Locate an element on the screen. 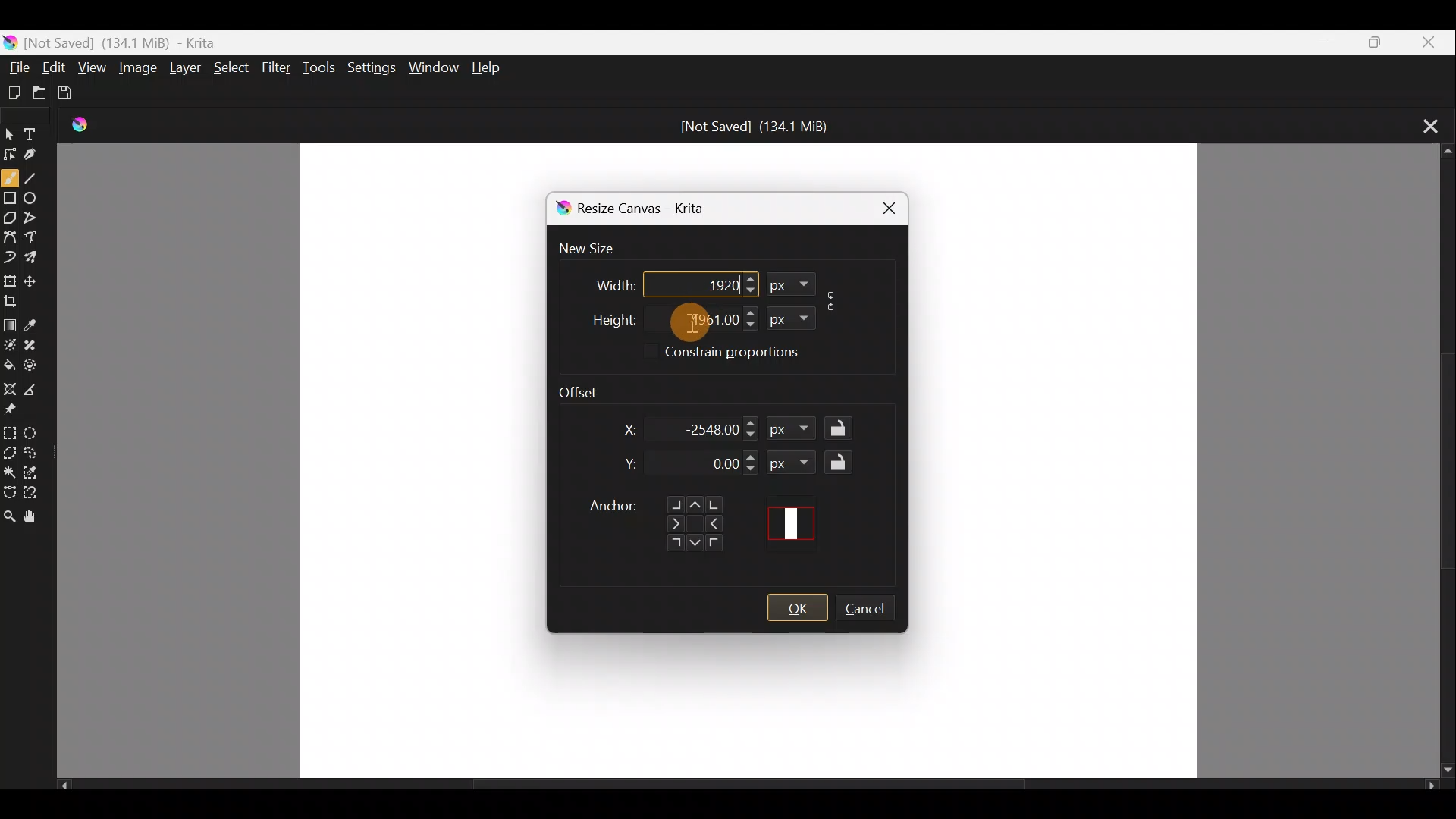 The image size is (1456, 819). Crop the image to an area is located at coordinates (17, 301).